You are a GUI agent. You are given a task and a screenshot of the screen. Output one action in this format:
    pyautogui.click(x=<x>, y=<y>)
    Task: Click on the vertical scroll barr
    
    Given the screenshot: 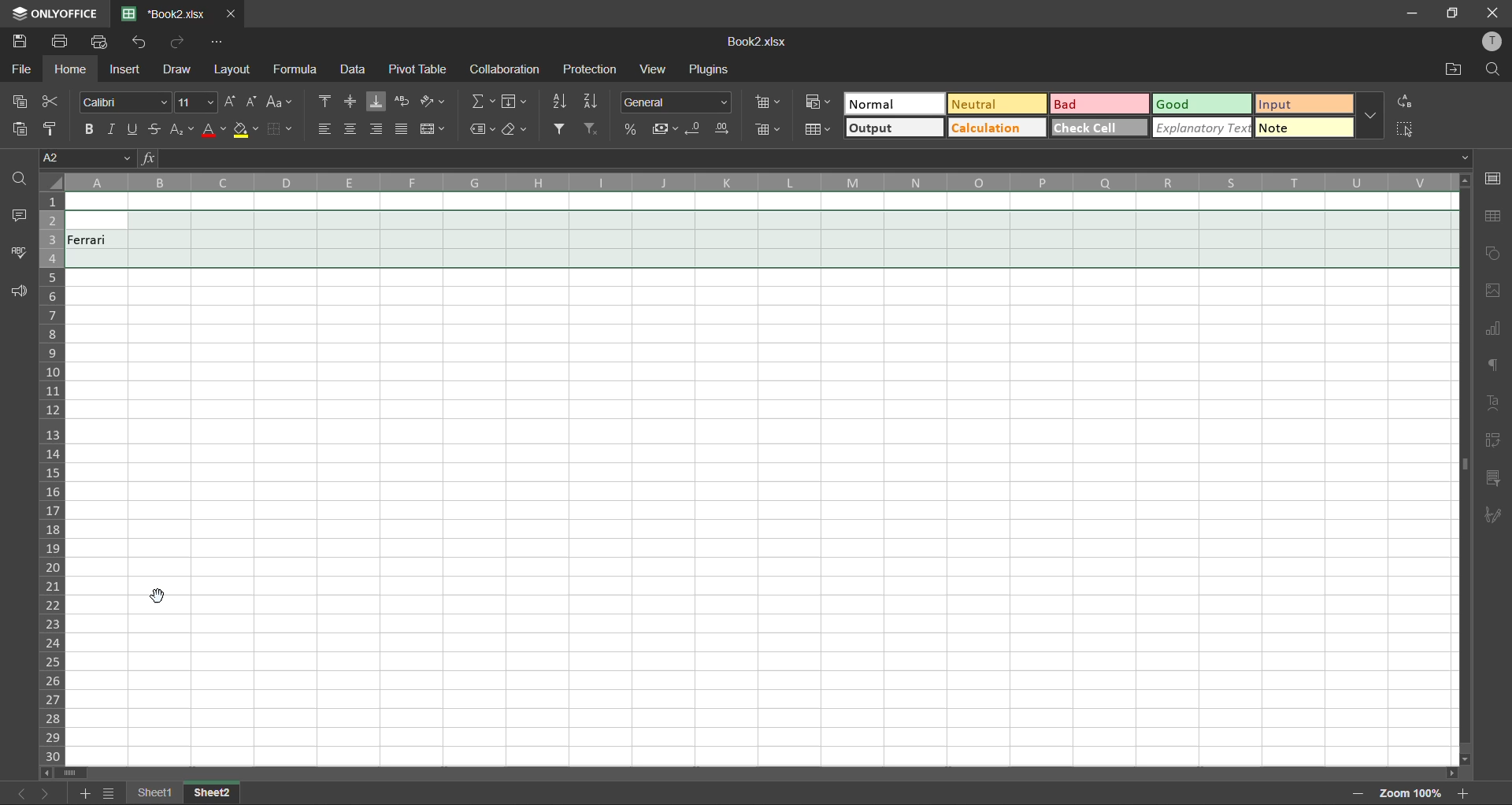 What is the action you would take?
    pyautogui.click(x=1462, y=469)
    